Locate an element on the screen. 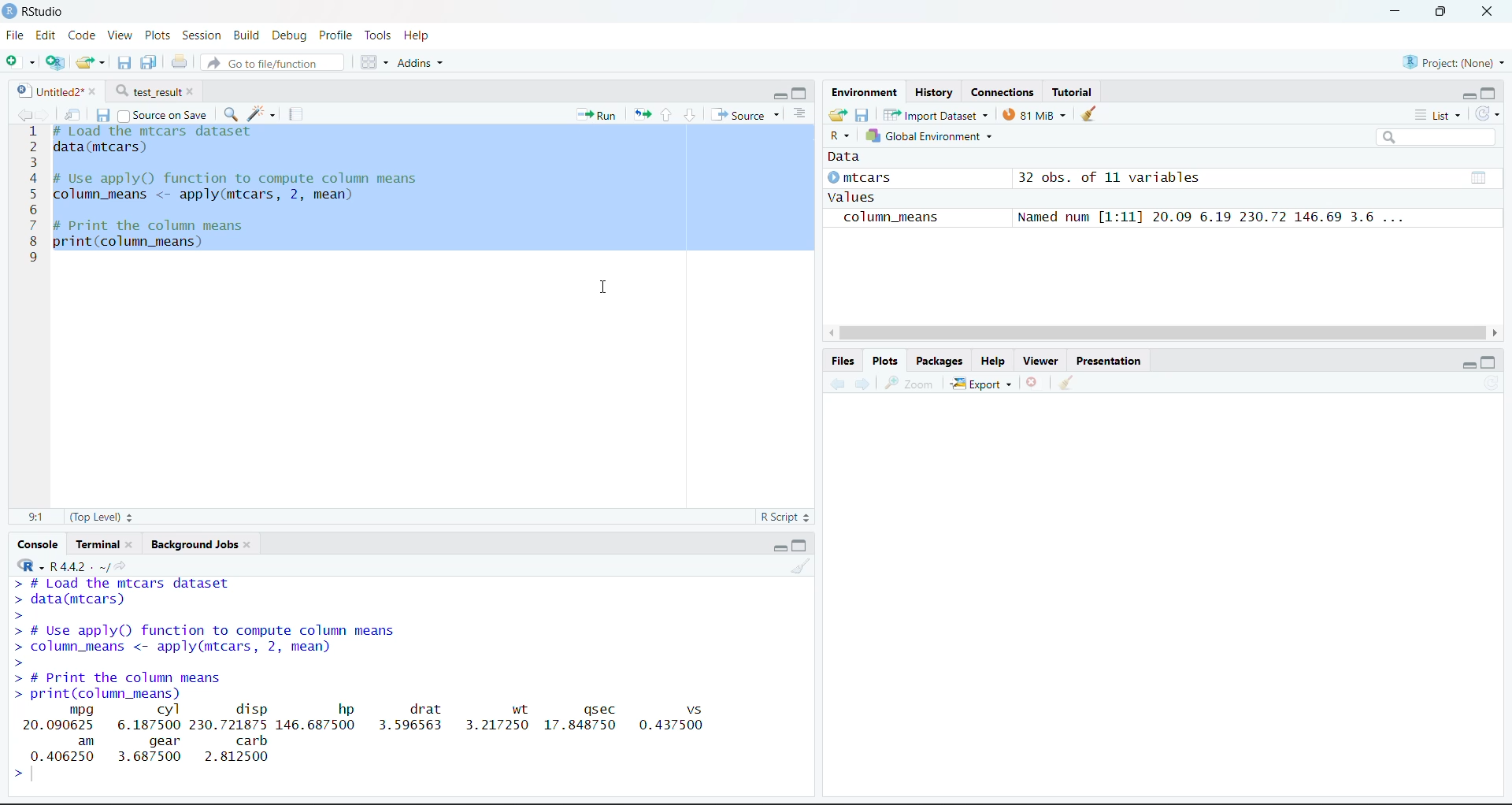 This screenshot has width=1512, height=805. History is located at coordinates (934, 91).